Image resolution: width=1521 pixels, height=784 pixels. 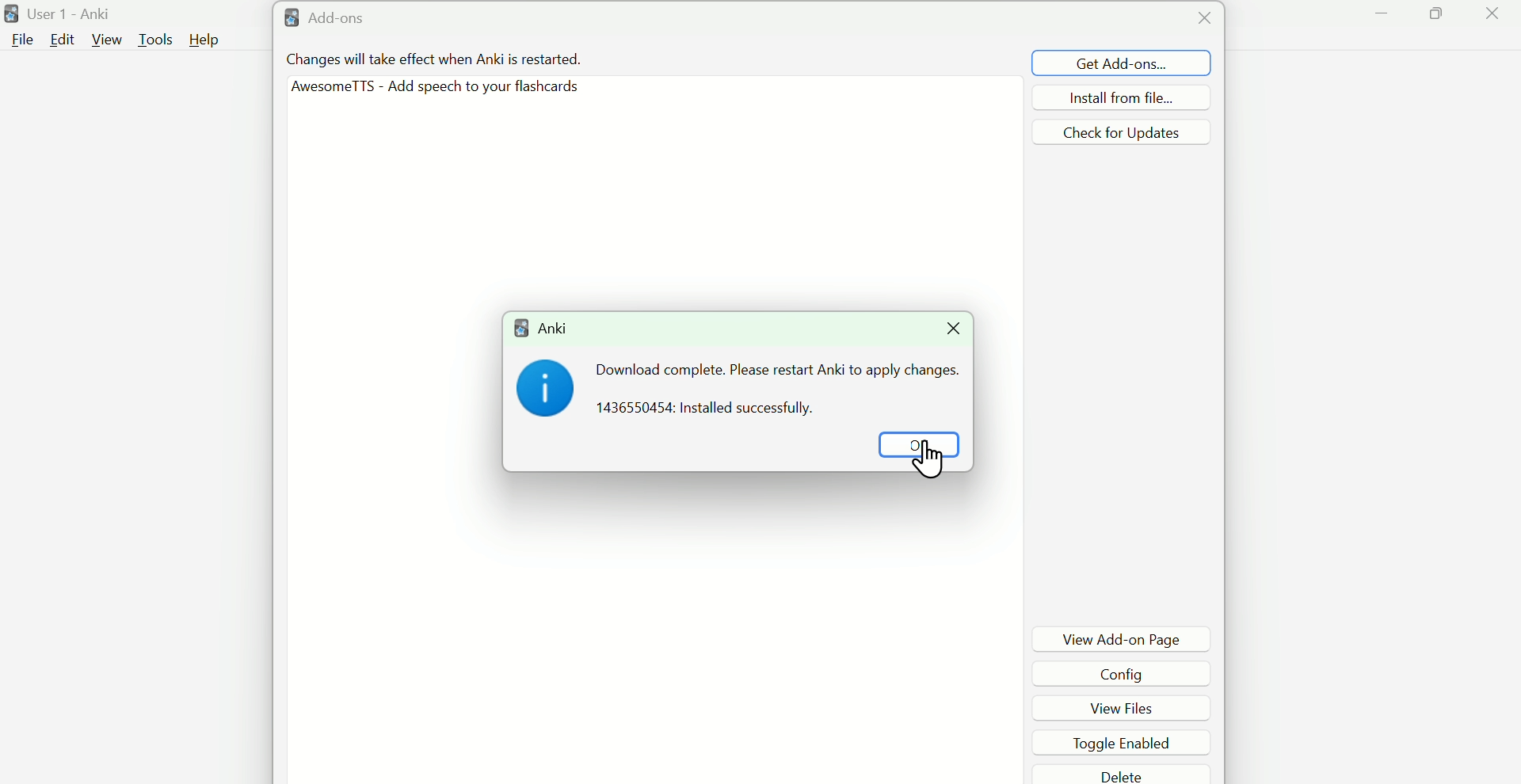 What do you see at coordinates (1492, 17) in the screenshot?
I see `Close` at bounding box center [1492, 17].